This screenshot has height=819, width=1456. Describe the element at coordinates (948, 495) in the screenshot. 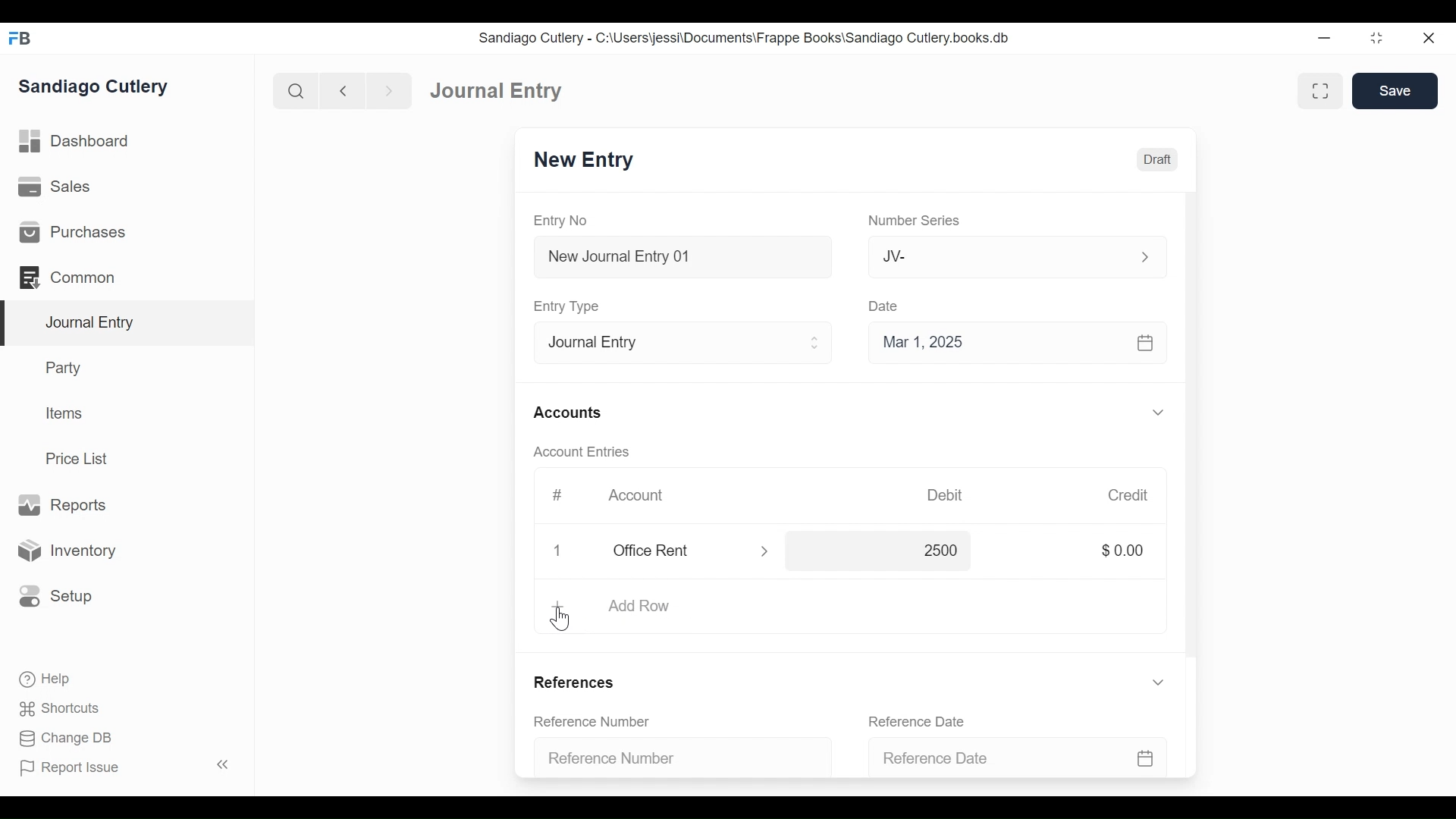

I see `Debit` at that location.